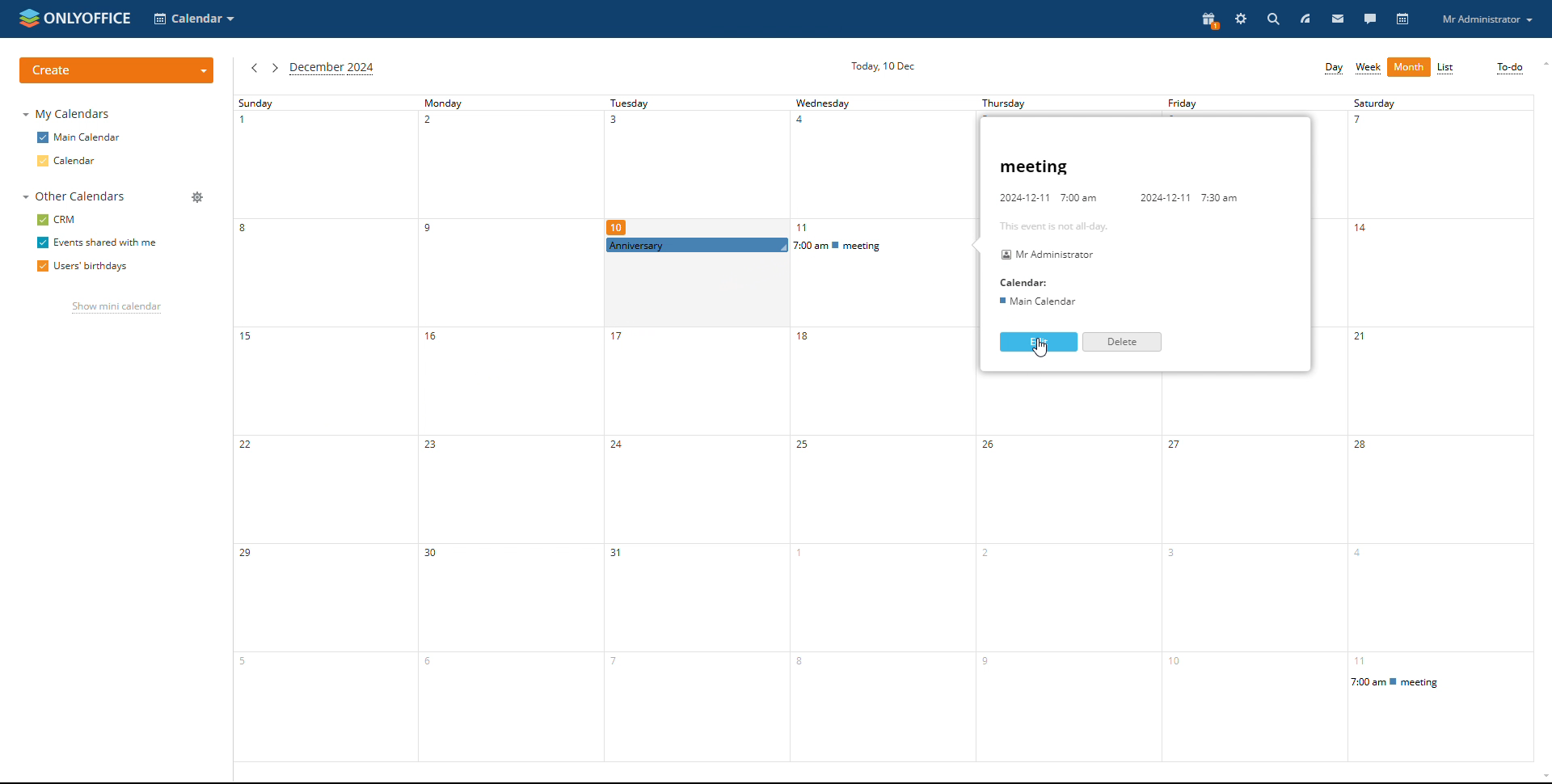 The height and width of the screenshot is (784, 1552). What do you see at coordinates (1338, 19) in the screenshot?
I see `mail` at bounding box center [1338, 19].